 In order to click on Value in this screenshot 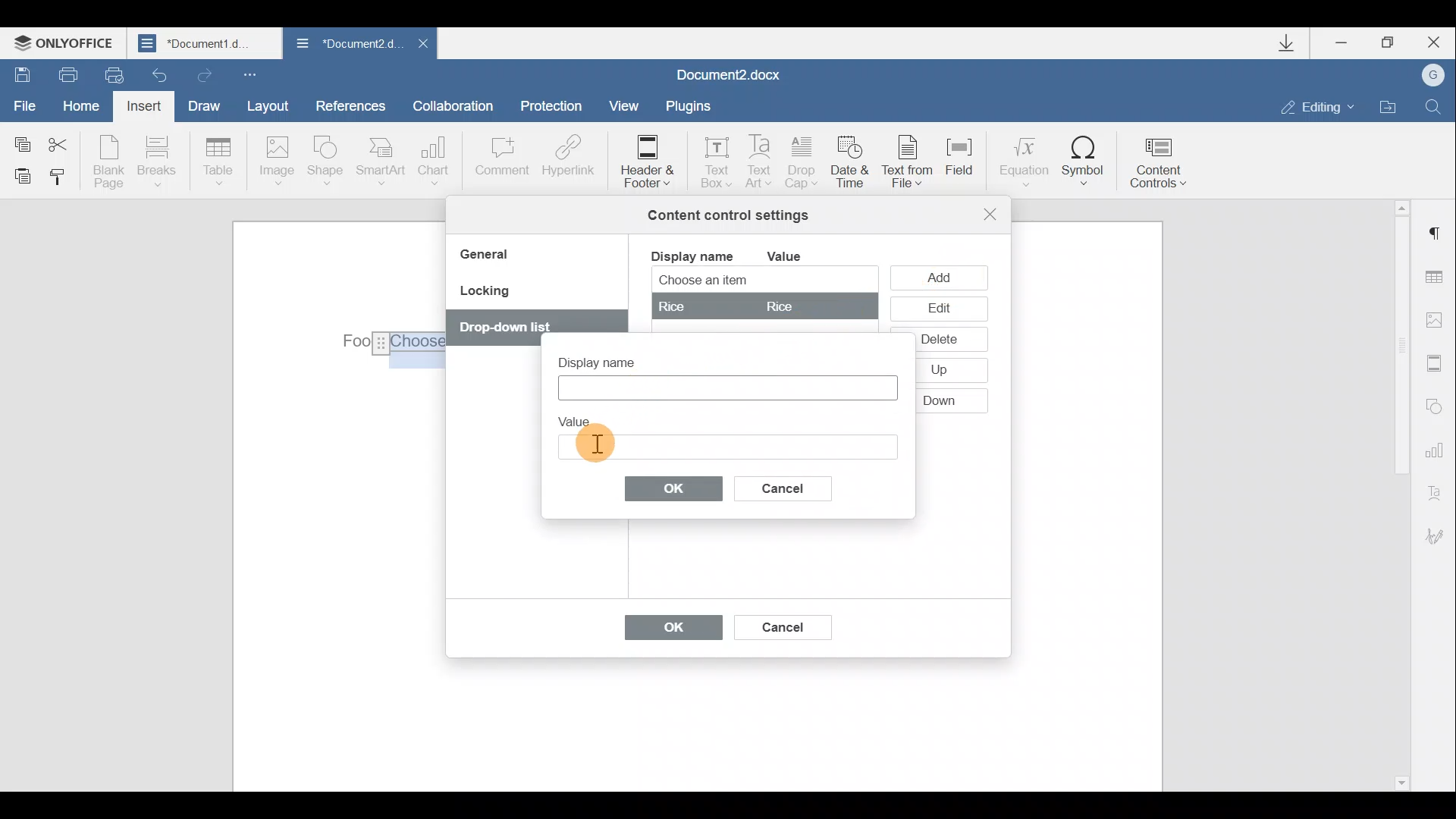, I will do `click(581, 419)`.